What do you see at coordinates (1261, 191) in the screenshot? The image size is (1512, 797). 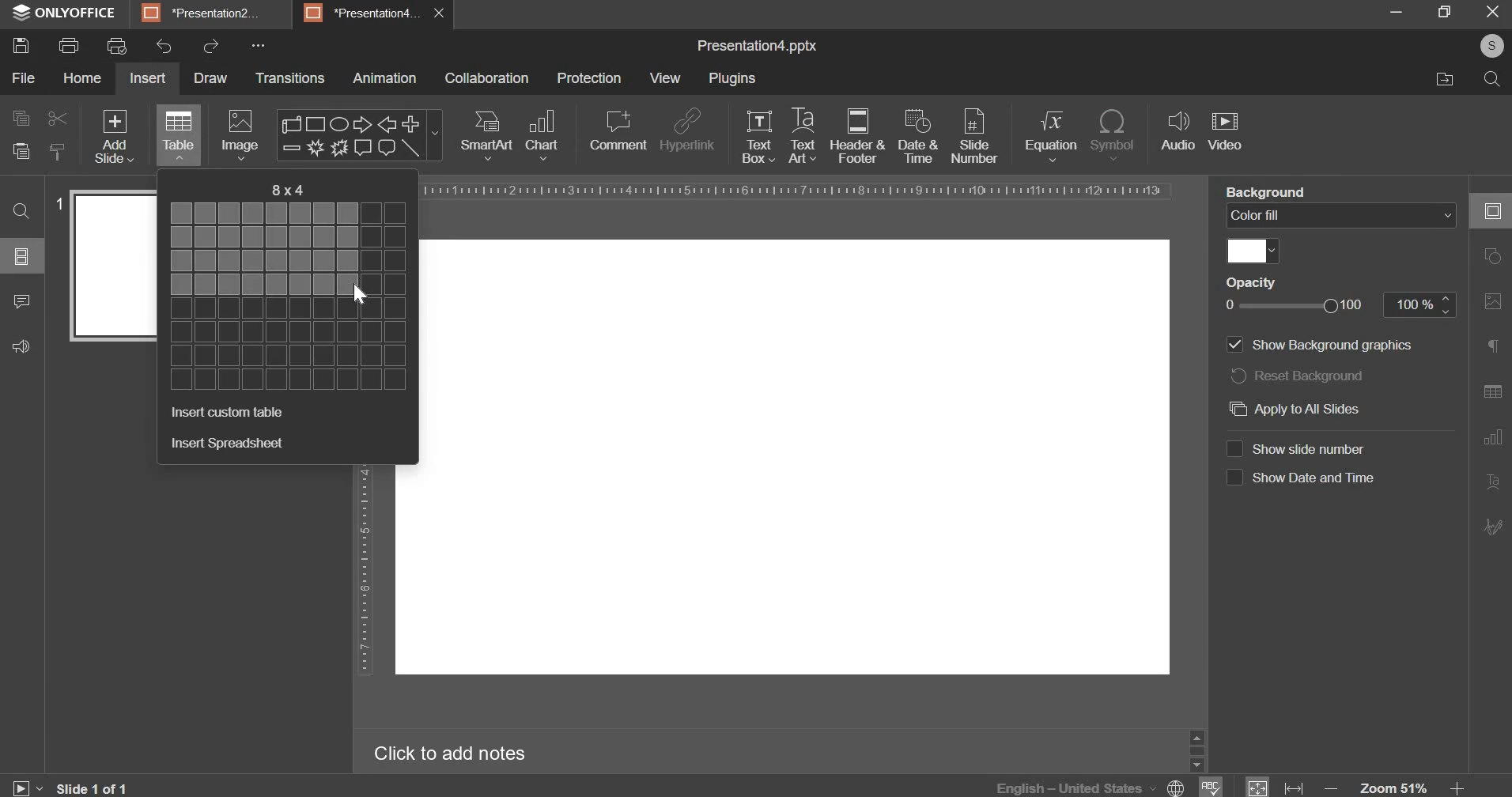 I see `background` at bounding box center [1261, 191].